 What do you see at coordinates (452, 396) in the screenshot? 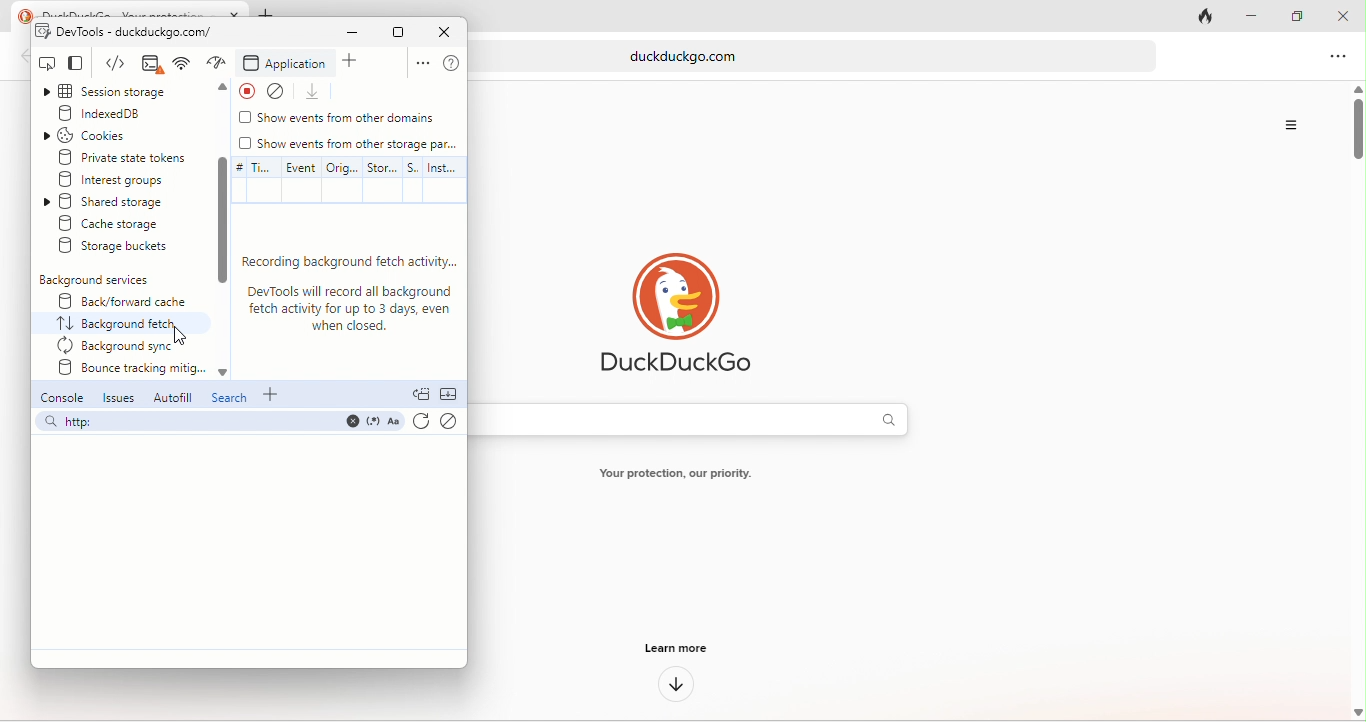
I see `collapse` at bounding box center [452, 396].